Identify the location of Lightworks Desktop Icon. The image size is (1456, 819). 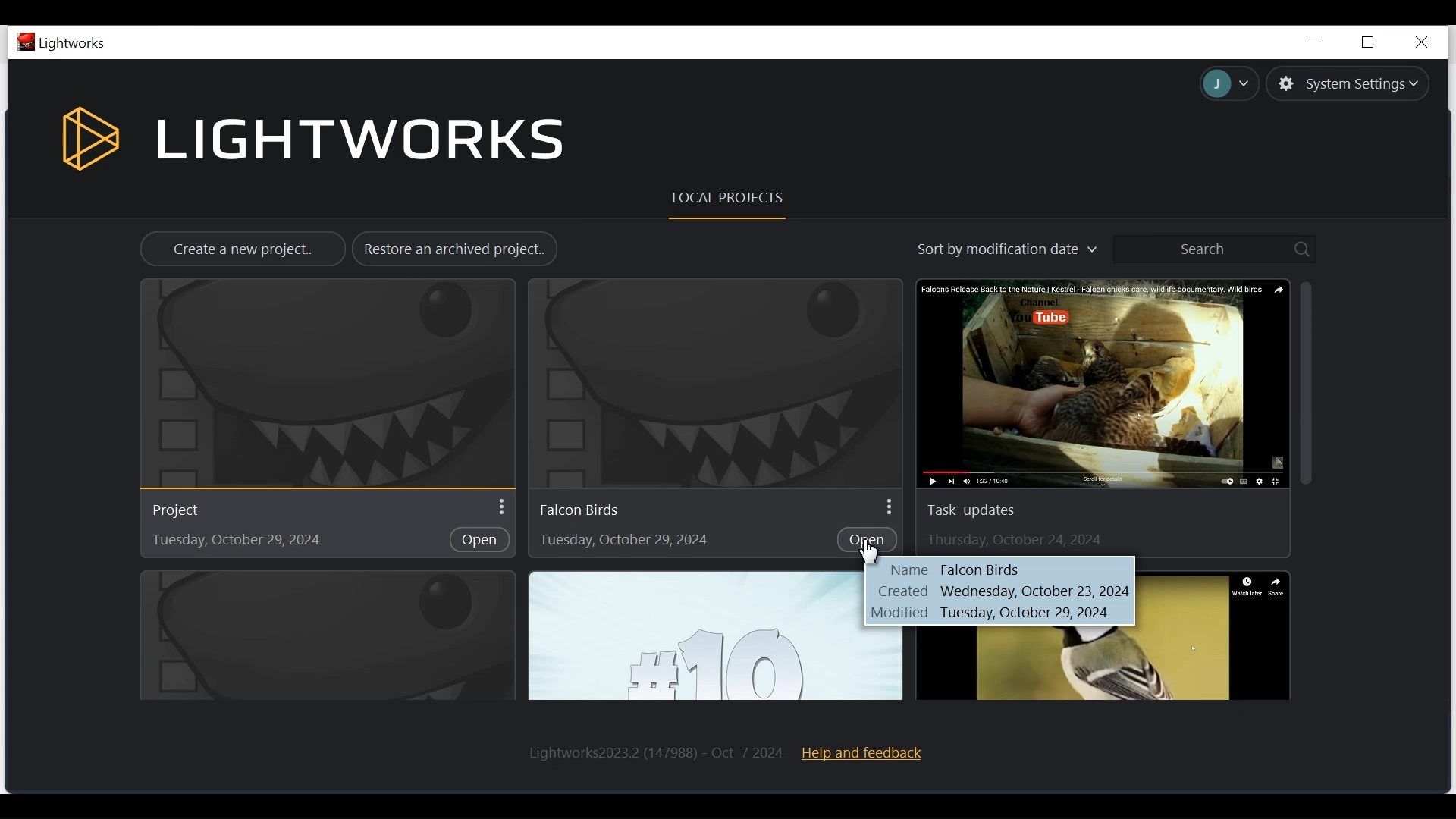
(62, 42).